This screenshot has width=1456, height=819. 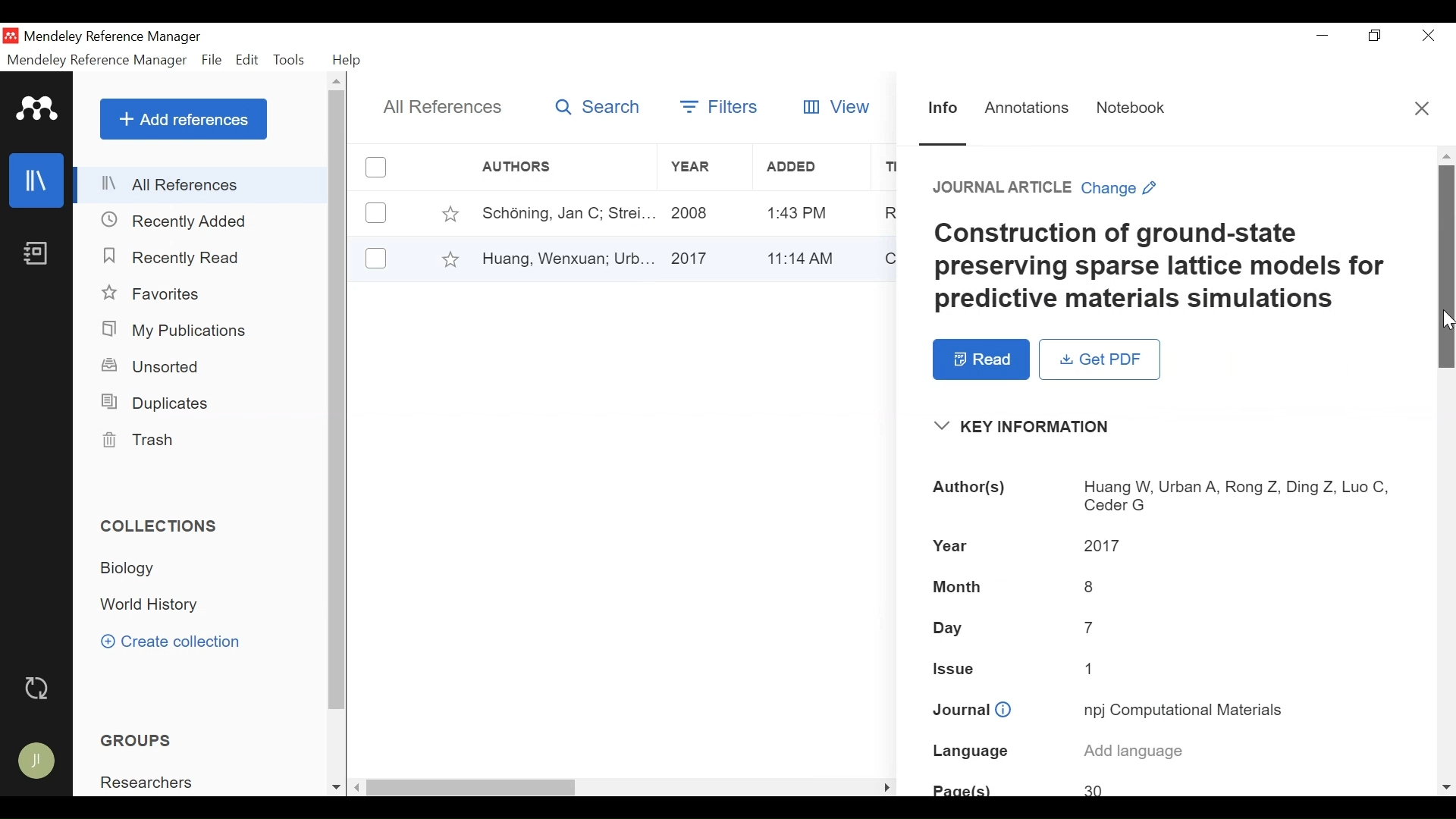 I want to click on Library, so click(x=37, y=180).